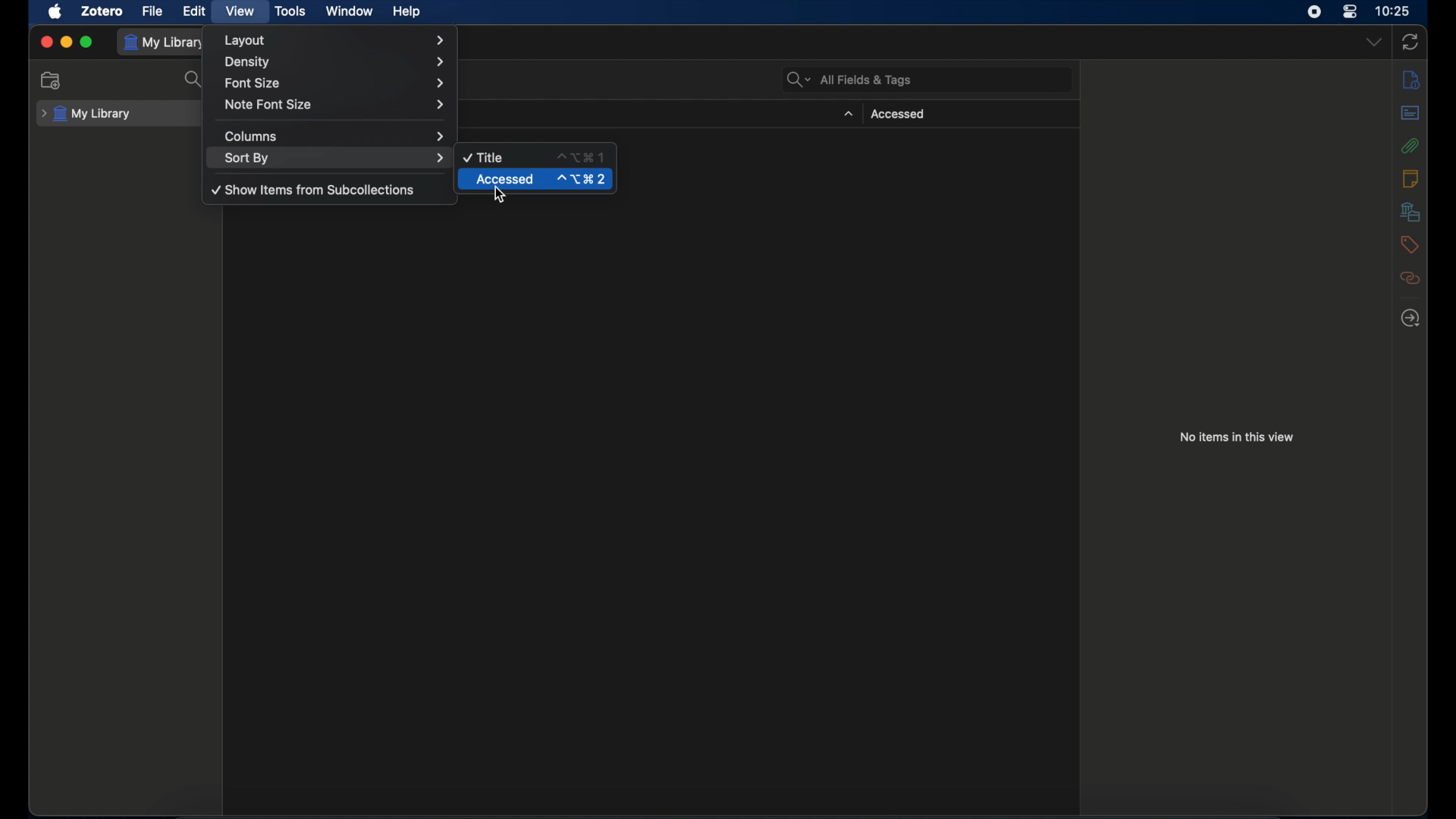 The height and width of the screenshot is (819, 1456). I want to click on density, so click(337, 61).